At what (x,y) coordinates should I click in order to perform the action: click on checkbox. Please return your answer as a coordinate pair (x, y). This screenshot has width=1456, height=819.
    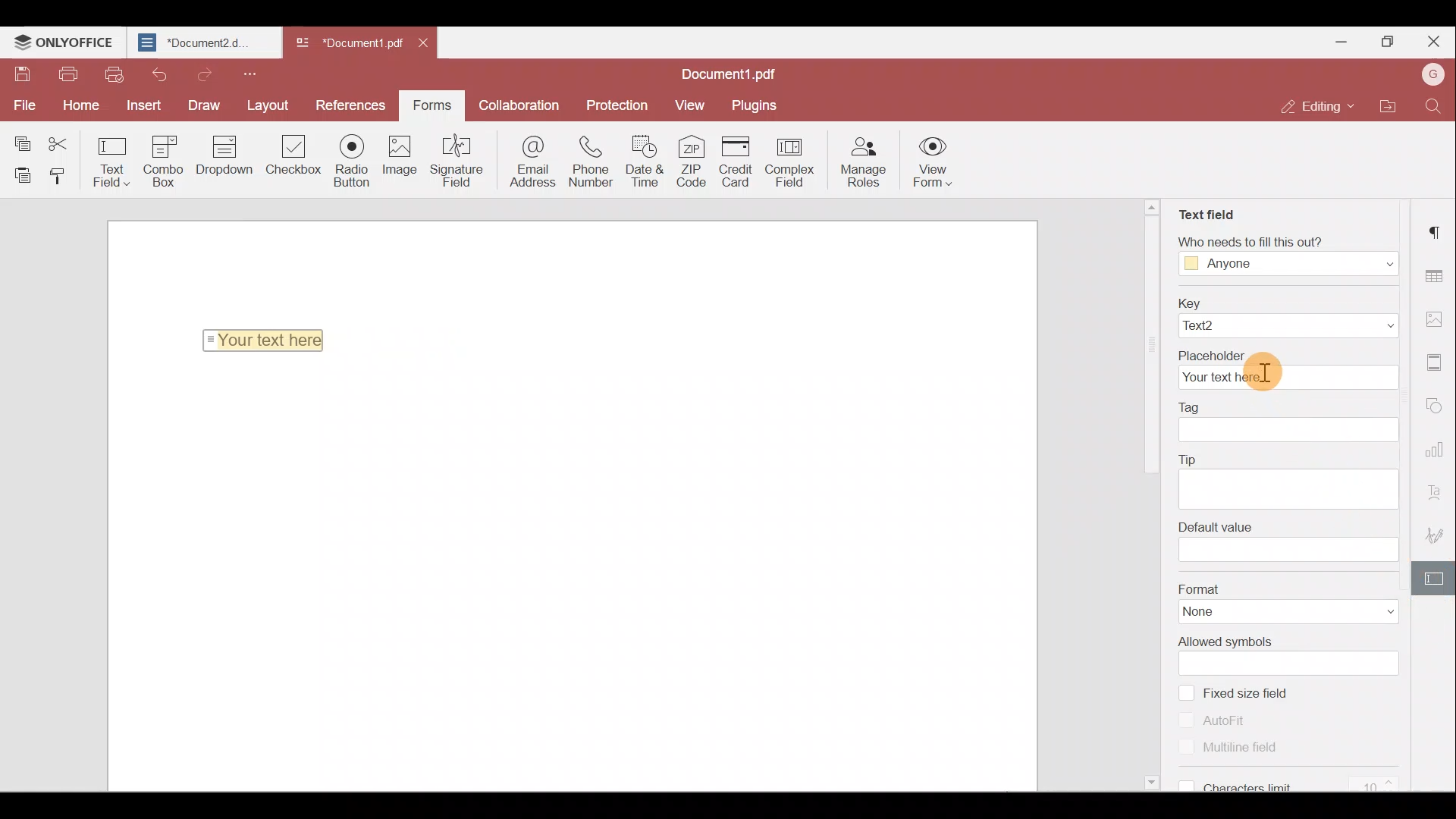
    Looking at the image, I should click on (1187, 719).